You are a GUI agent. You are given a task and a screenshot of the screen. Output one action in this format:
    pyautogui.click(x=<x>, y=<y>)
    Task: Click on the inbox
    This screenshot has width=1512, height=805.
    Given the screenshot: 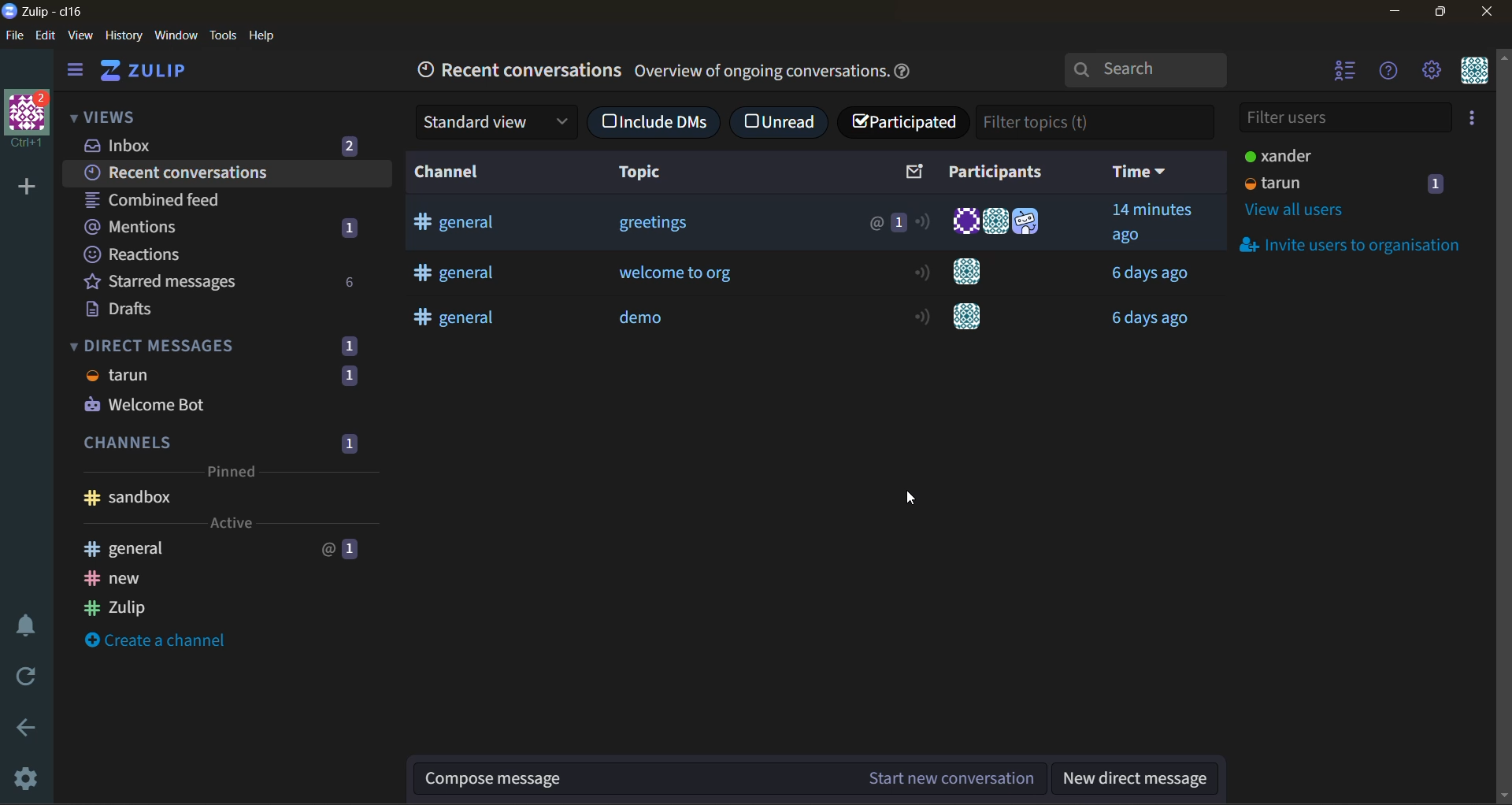 What is the action you would take?
    pyautogui.click(x=241, y=144)
    